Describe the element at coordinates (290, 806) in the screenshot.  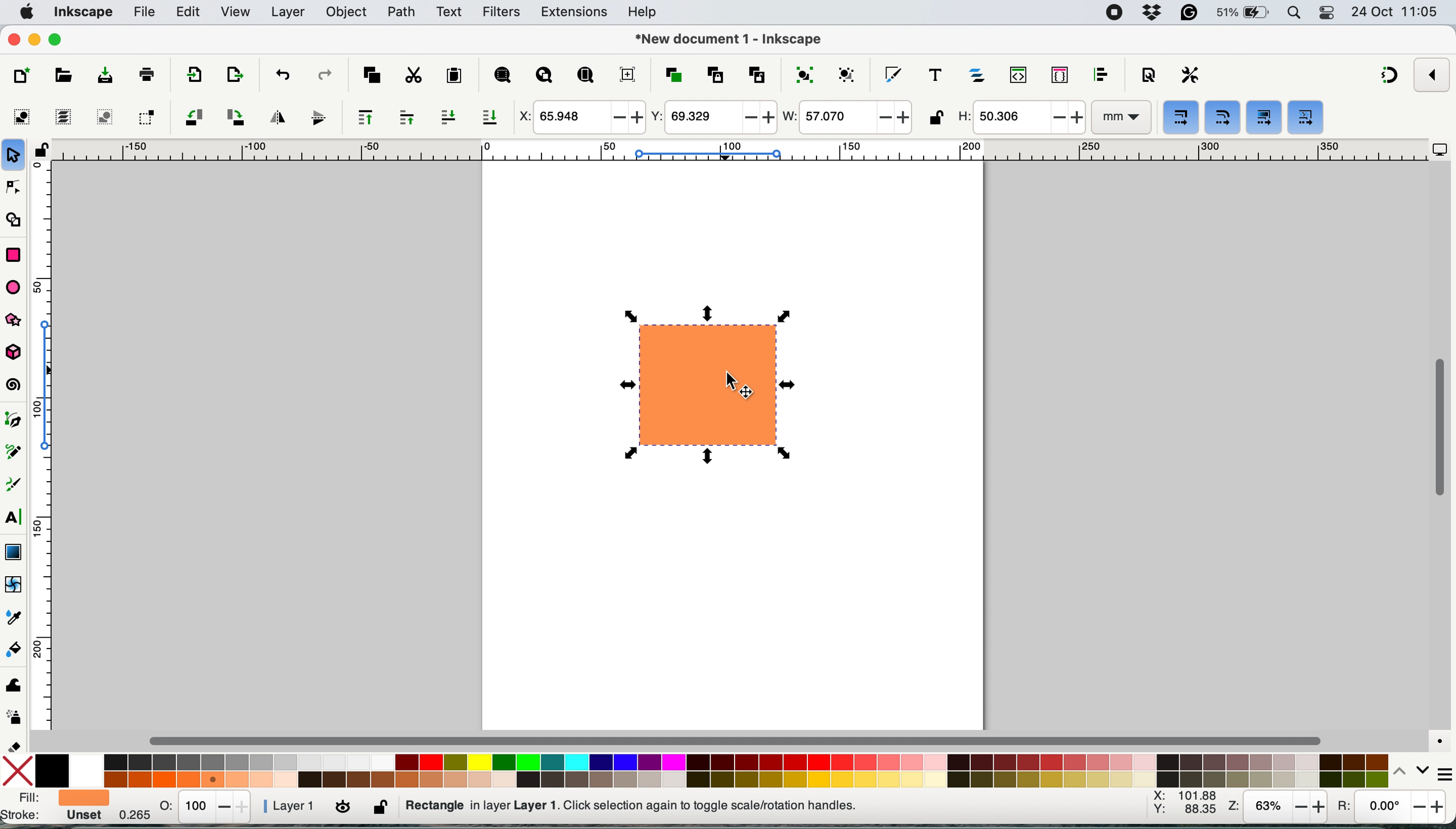
I see `layer 1` at that location.